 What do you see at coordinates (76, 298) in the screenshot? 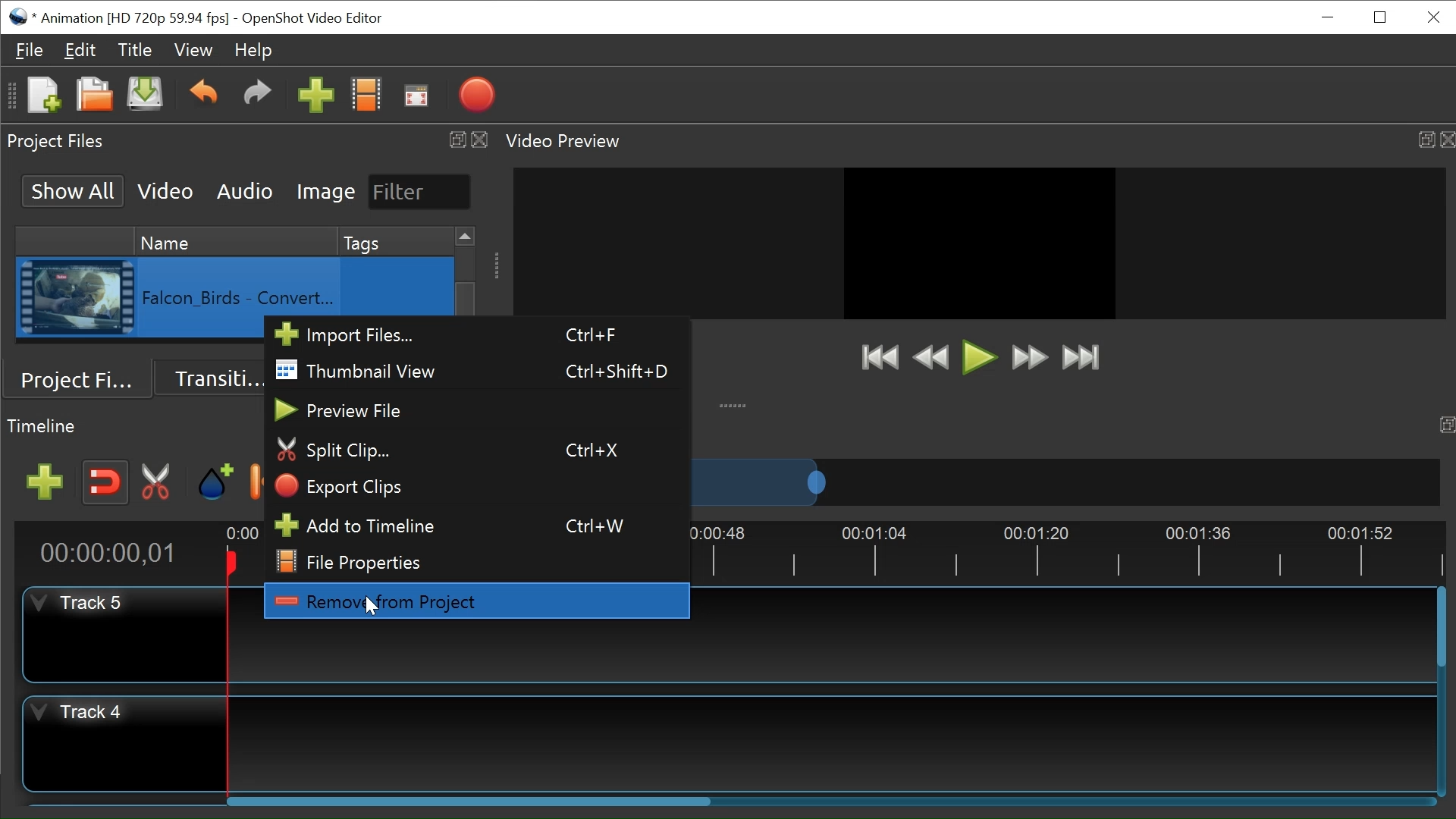
I see `Clip` at bounding box center [76, 298].